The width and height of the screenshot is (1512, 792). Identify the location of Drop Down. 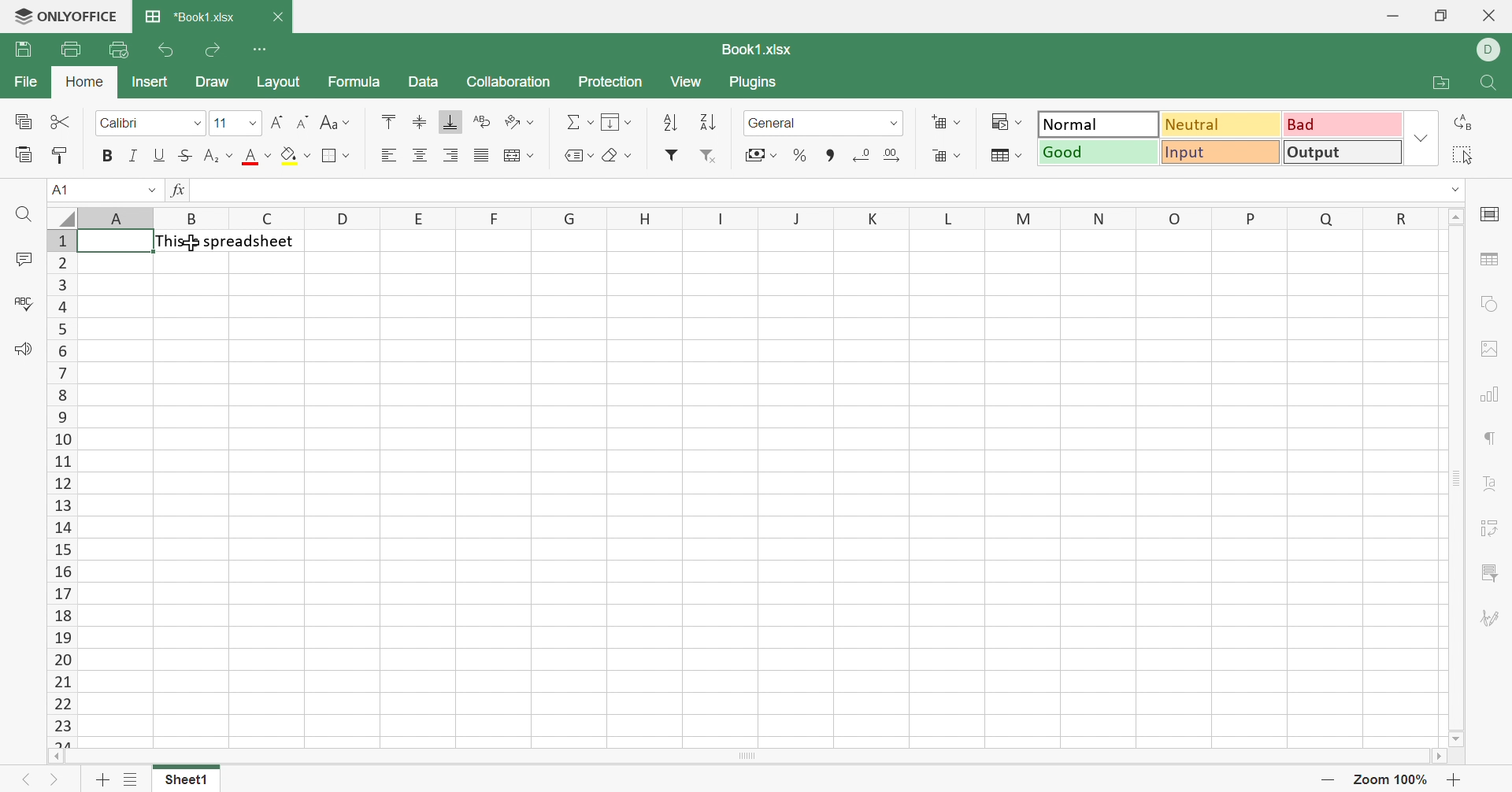
(306, 156).